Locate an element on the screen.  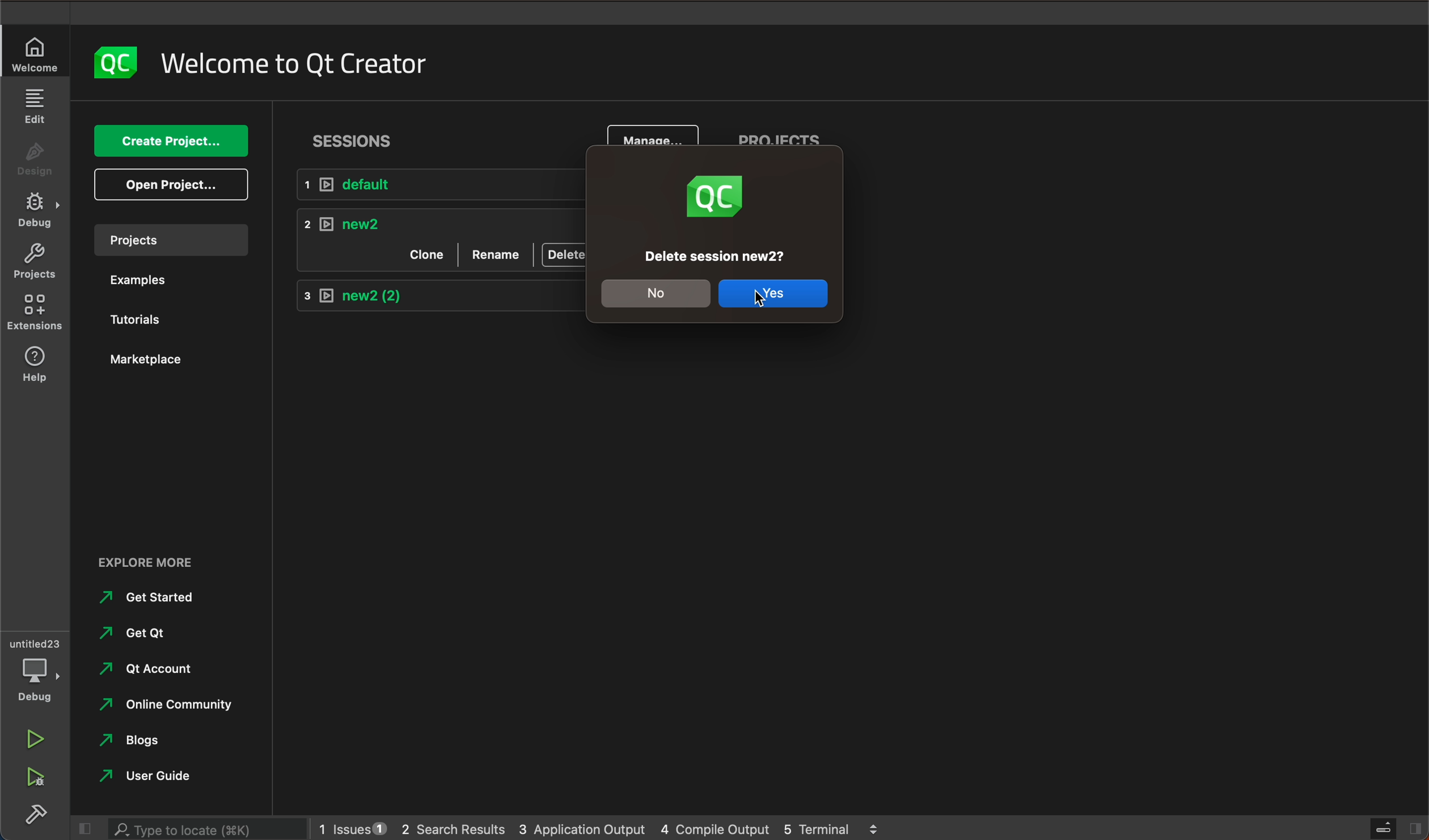
rename is located at coordinates (496, 252).